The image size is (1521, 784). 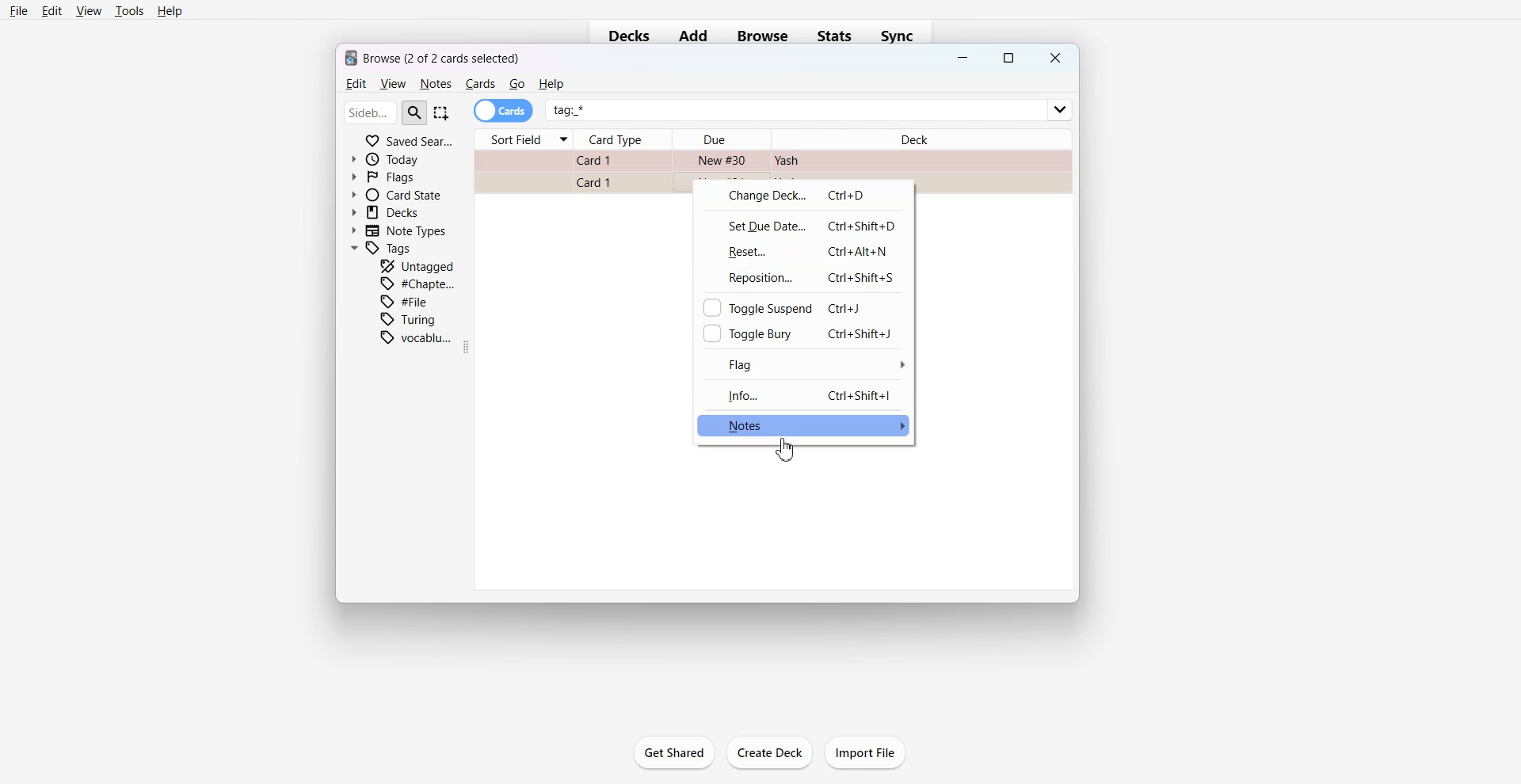 I want to click on Cards, so click(x=480, y=84).